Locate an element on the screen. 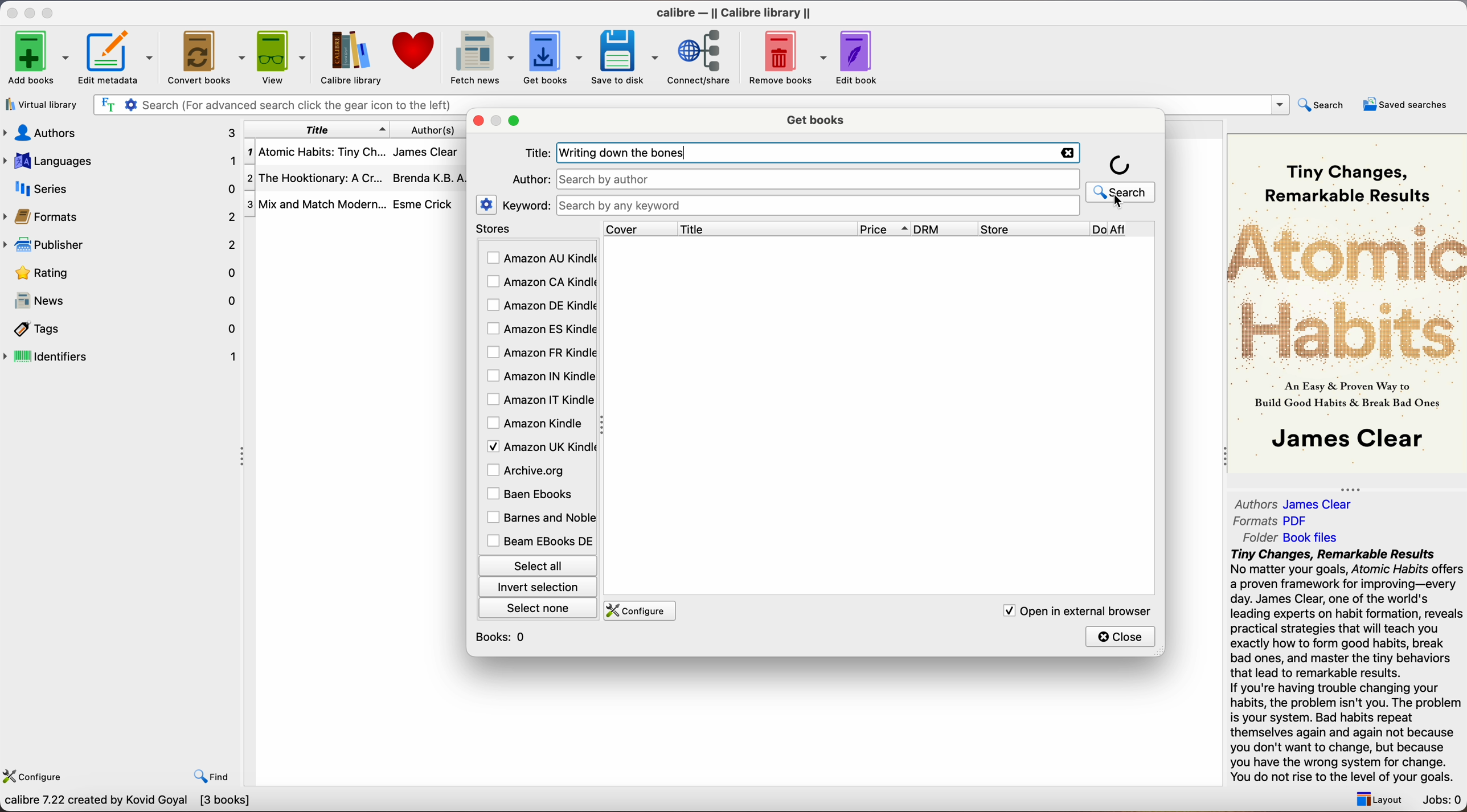 This screenshot has height=812, width=1467. book cover preview is located at coordinates (1349, 302).